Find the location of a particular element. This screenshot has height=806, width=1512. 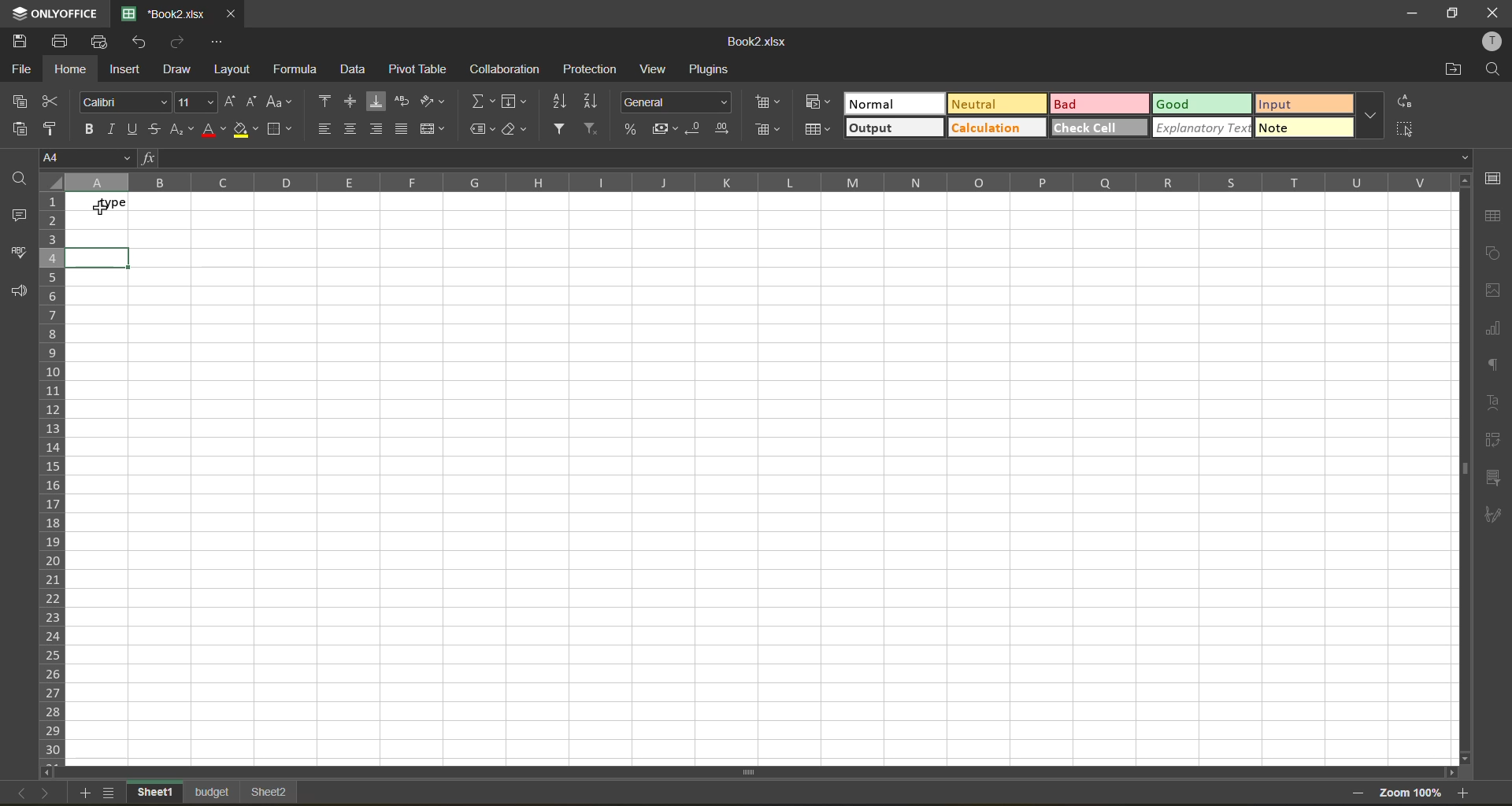

insert is located at coordinates (126, 67).